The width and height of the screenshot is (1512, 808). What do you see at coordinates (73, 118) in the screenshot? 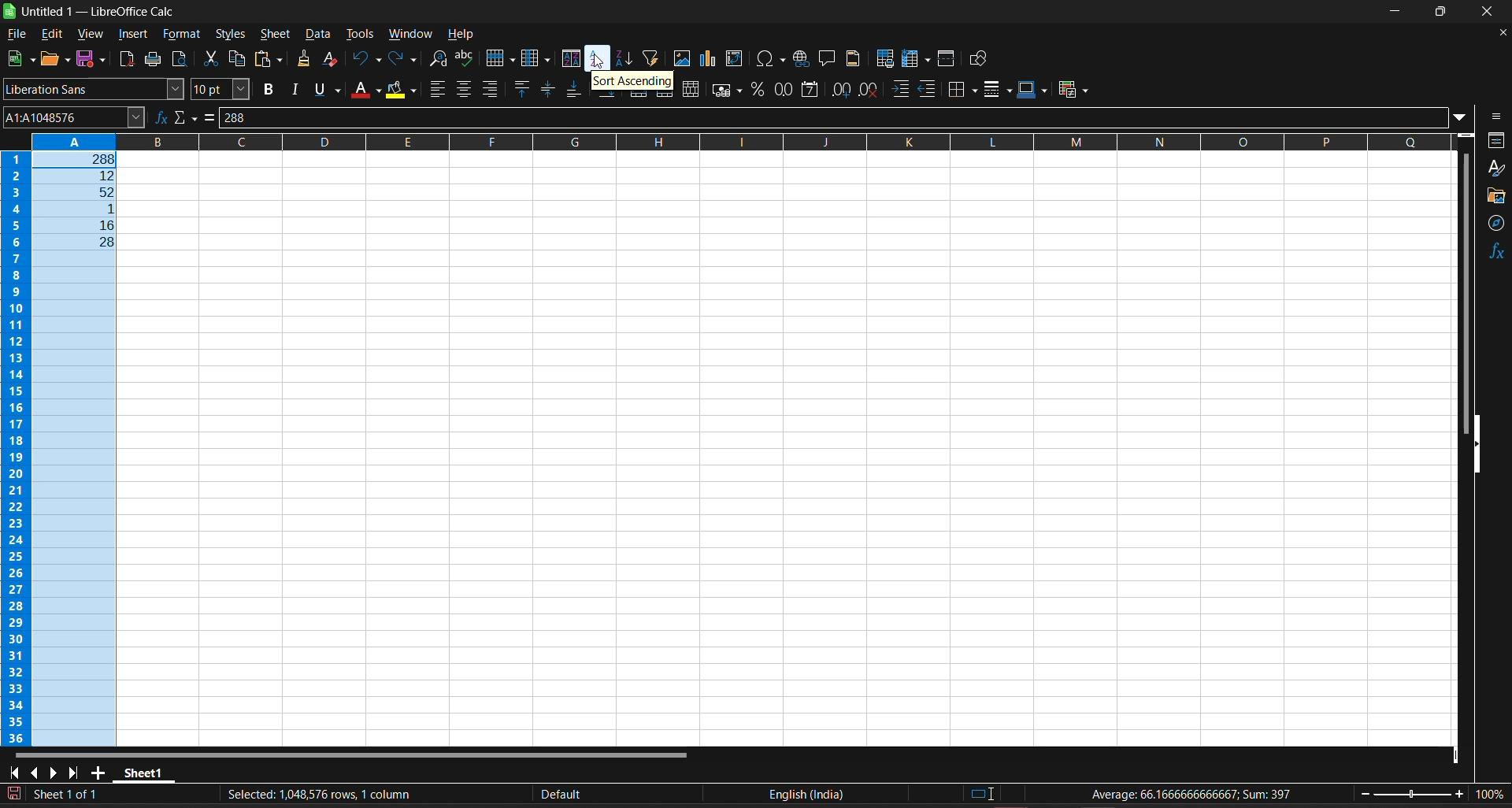
I see `cell address` at bounding box center [73, 118].